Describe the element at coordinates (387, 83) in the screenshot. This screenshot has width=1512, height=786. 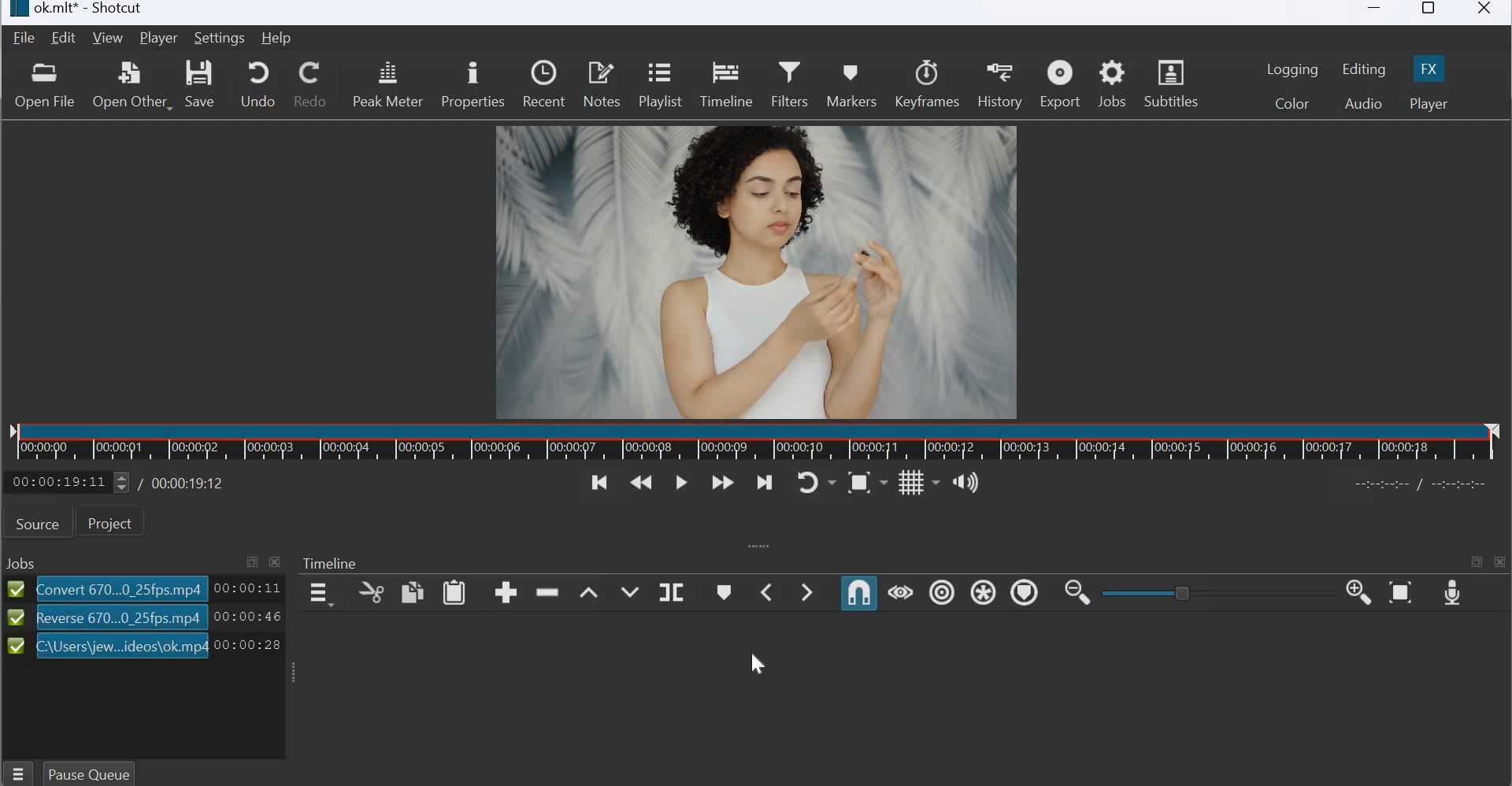
I see `Peak meter` at that location.